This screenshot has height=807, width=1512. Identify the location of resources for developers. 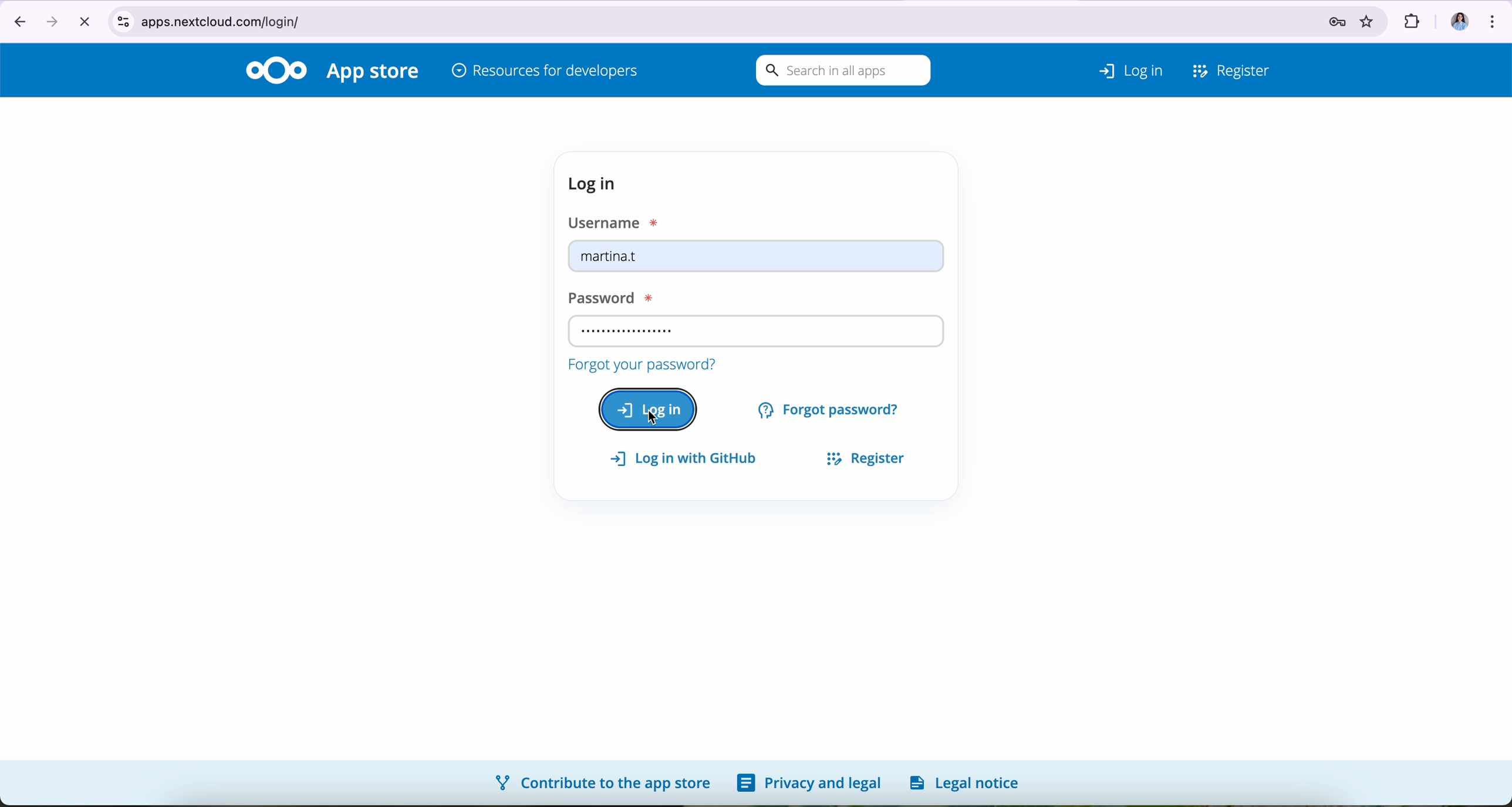
(545, 72).